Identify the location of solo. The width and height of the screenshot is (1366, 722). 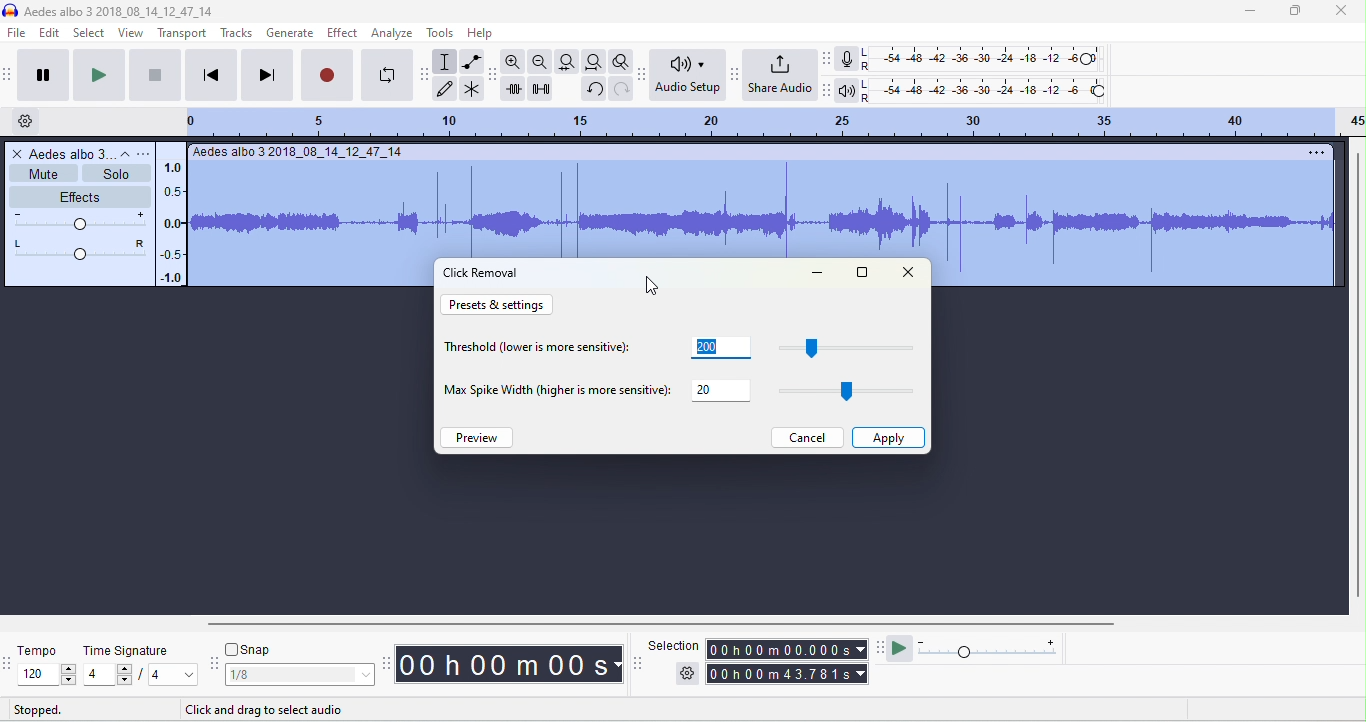
(115, 174).